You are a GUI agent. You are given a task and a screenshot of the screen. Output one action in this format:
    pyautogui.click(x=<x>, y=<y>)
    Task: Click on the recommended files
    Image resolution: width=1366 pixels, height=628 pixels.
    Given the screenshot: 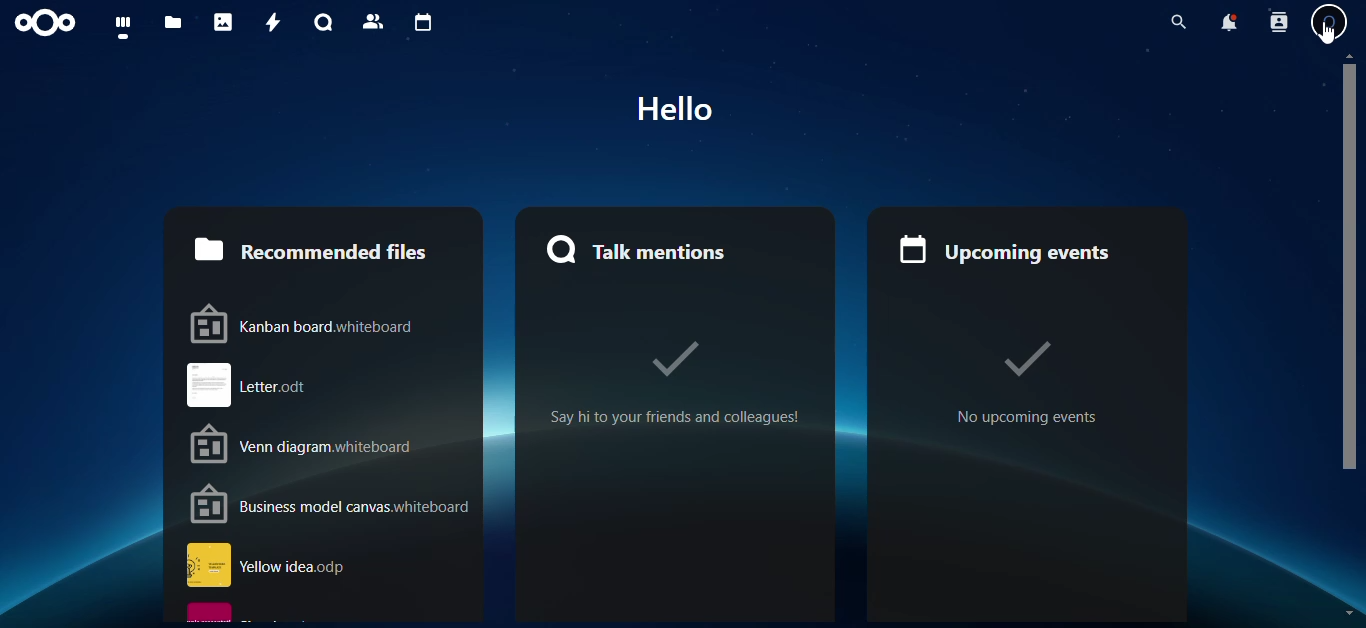 What is the action you would take?
    pyautogui.click(x=323, y=248)
    